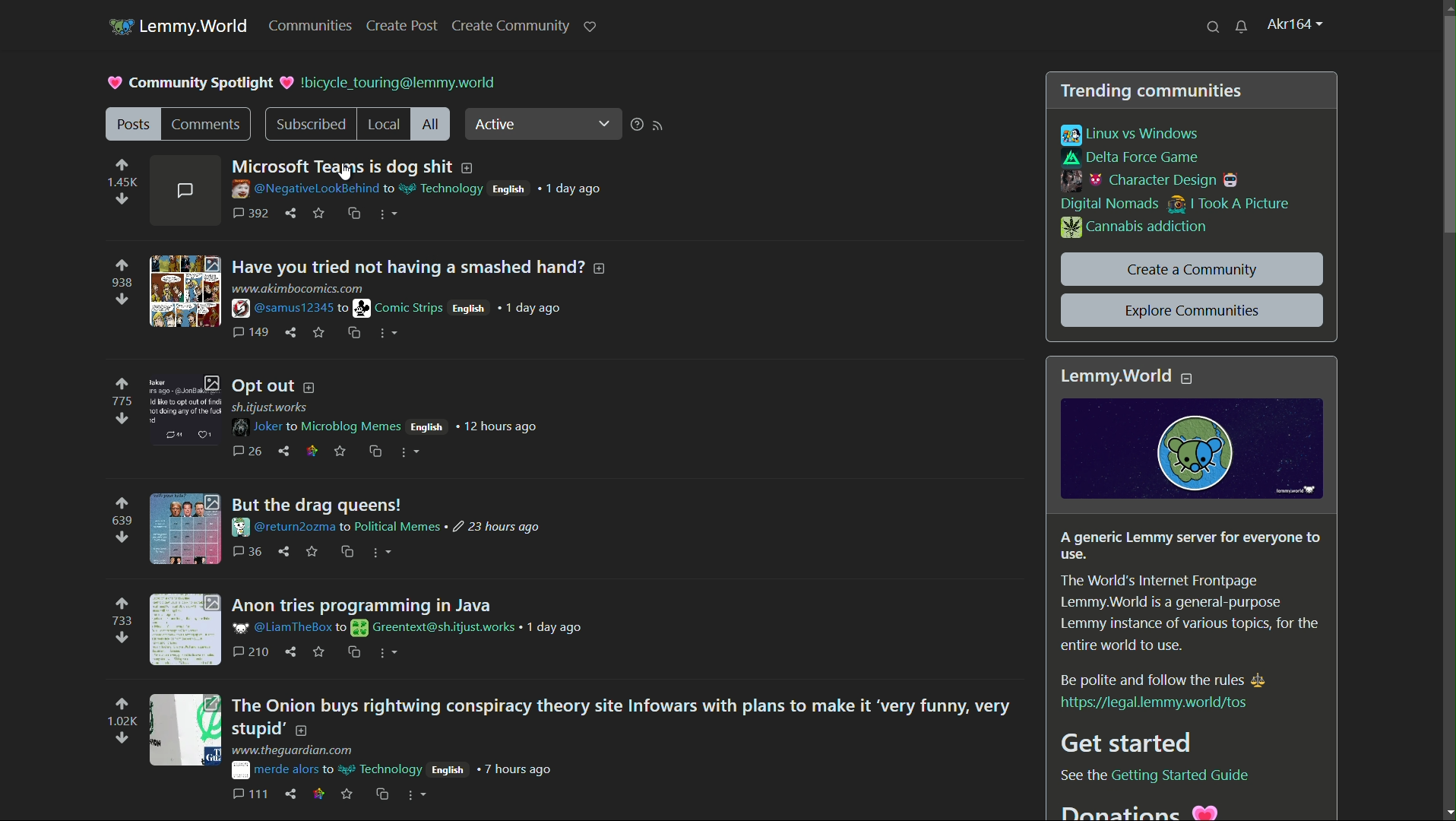 This screenshot has height=821, width=1456. What do you see at coordinates (1194, 603) in the screenshot?
I see `about lemmy.world` at bounding box center [1194, 603].